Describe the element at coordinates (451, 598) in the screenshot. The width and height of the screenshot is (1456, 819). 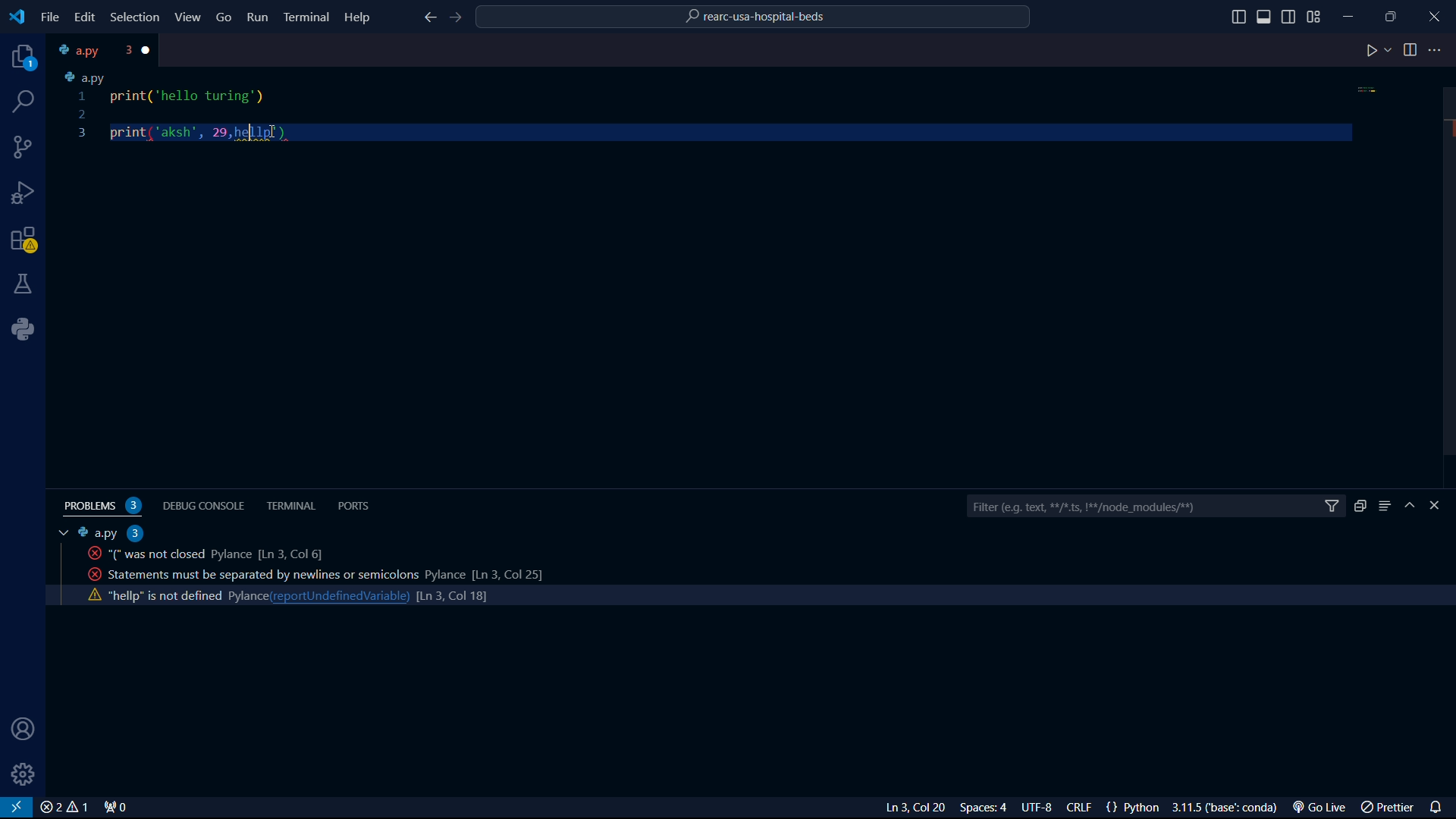
I see `line count` at that location.